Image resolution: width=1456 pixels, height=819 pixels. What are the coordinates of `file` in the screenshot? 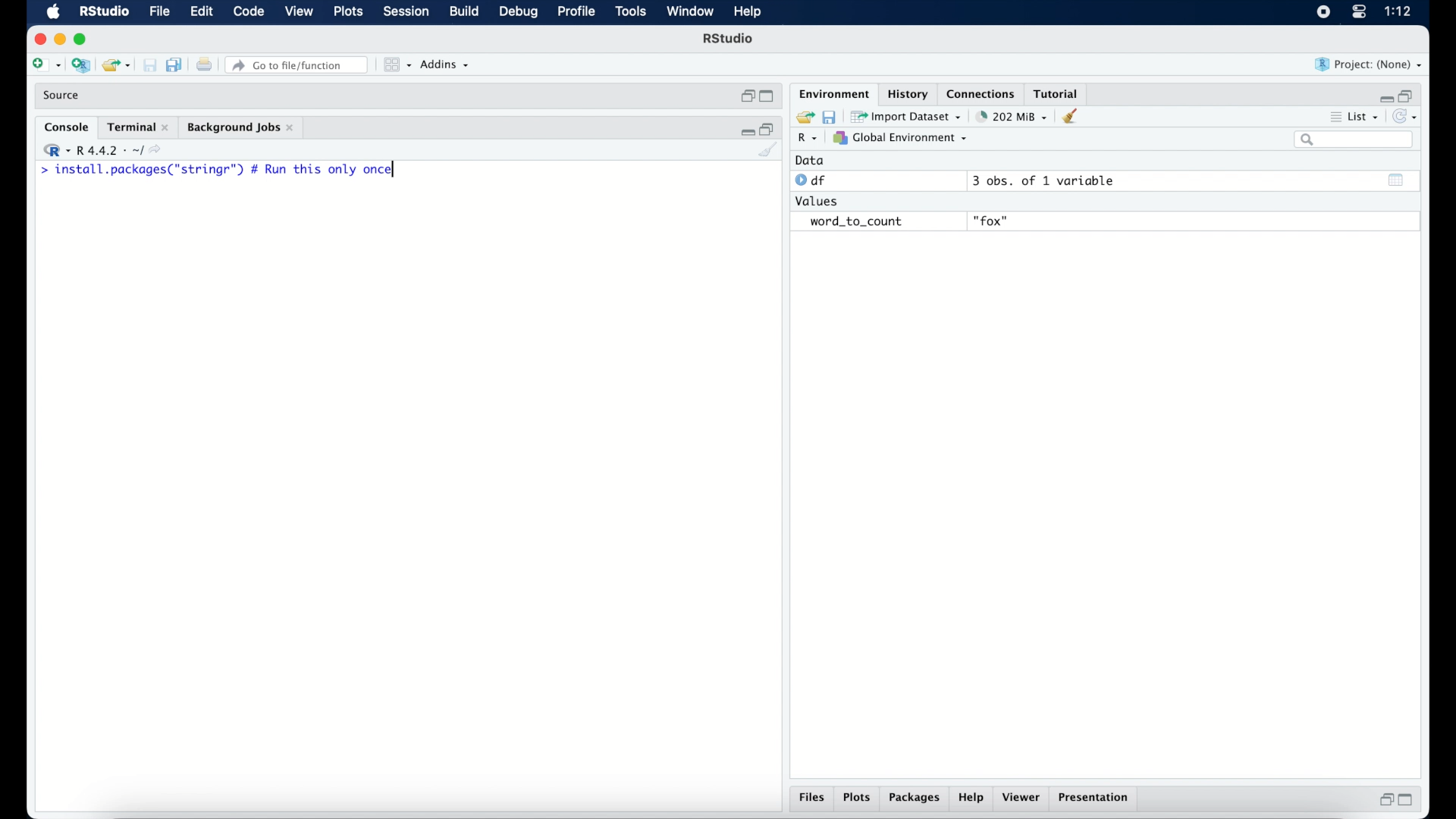 It's located at (161, 12).